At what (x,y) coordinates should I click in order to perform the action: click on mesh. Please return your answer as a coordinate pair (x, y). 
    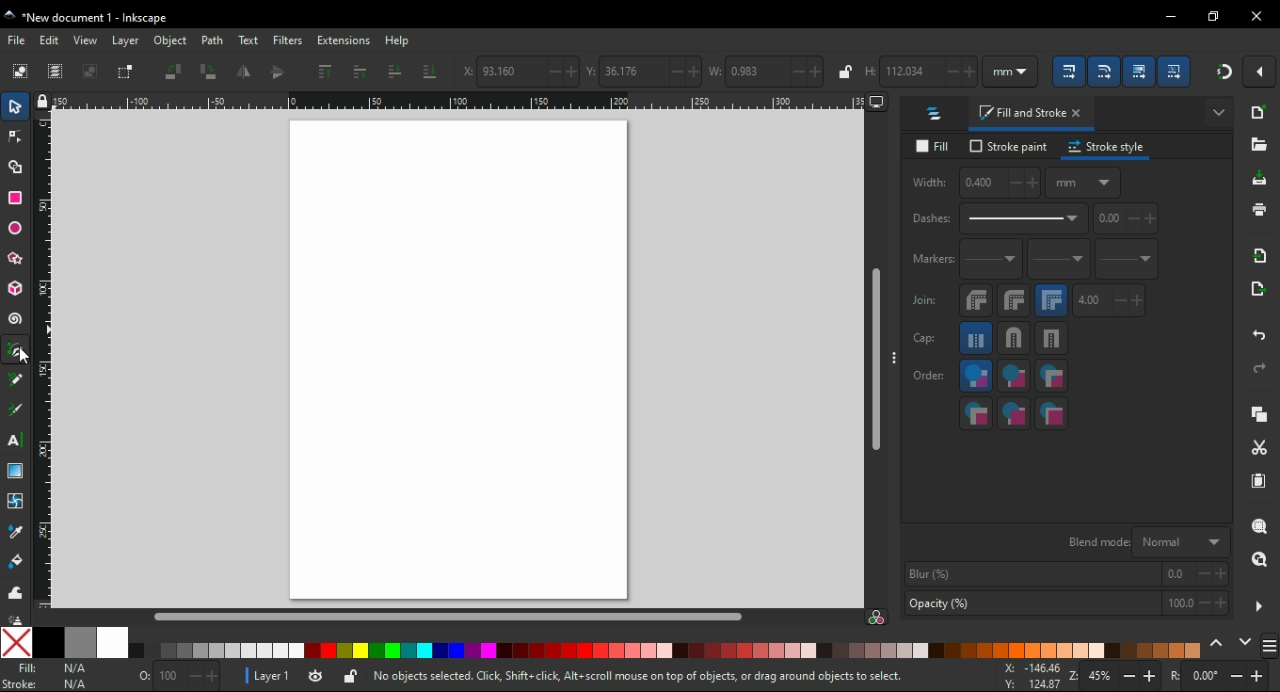
    Looking at the image, I should click on (15, 500).